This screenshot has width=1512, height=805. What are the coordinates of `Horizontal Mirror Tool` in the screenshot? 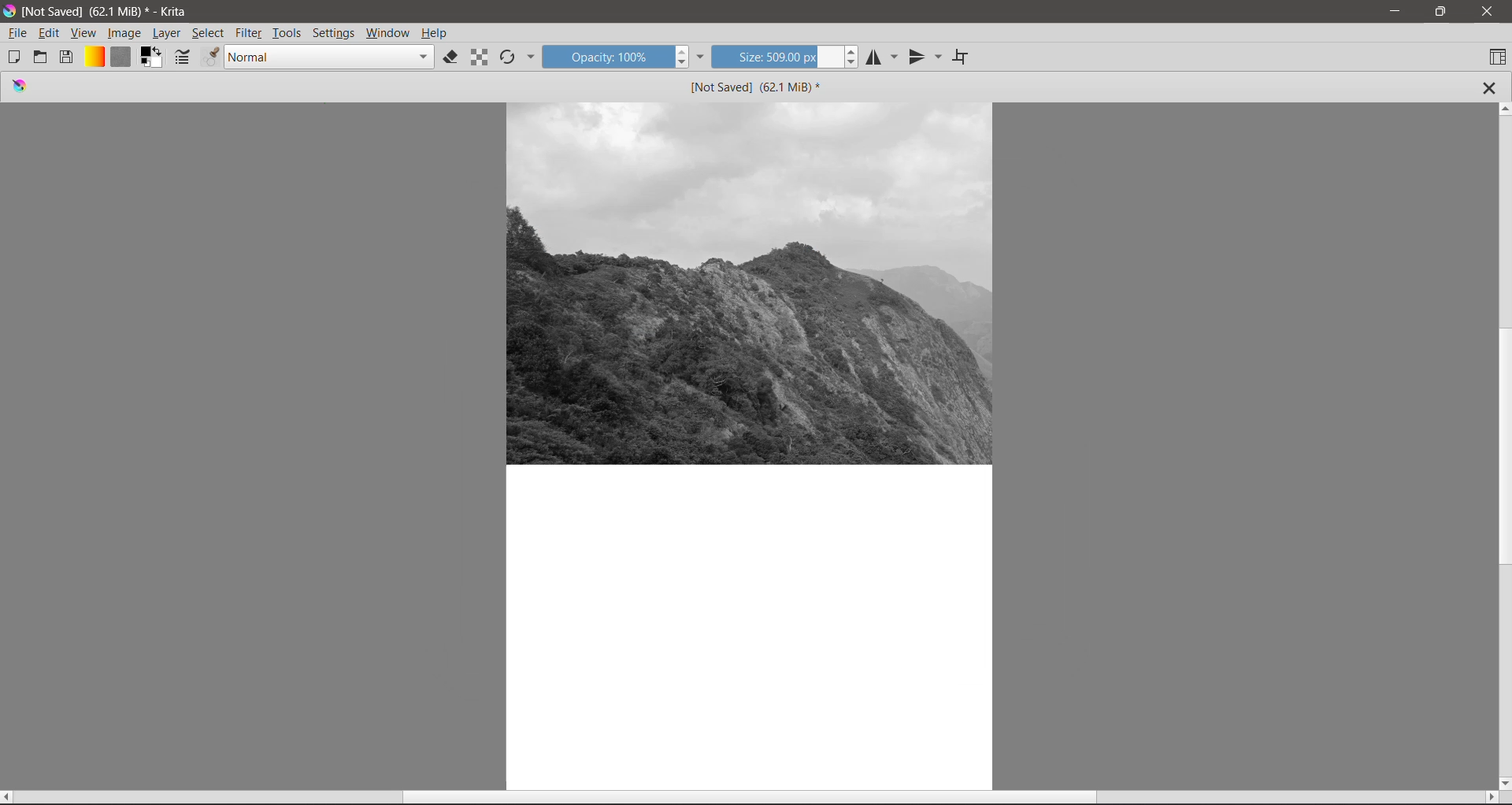 It's located at (882, 58).